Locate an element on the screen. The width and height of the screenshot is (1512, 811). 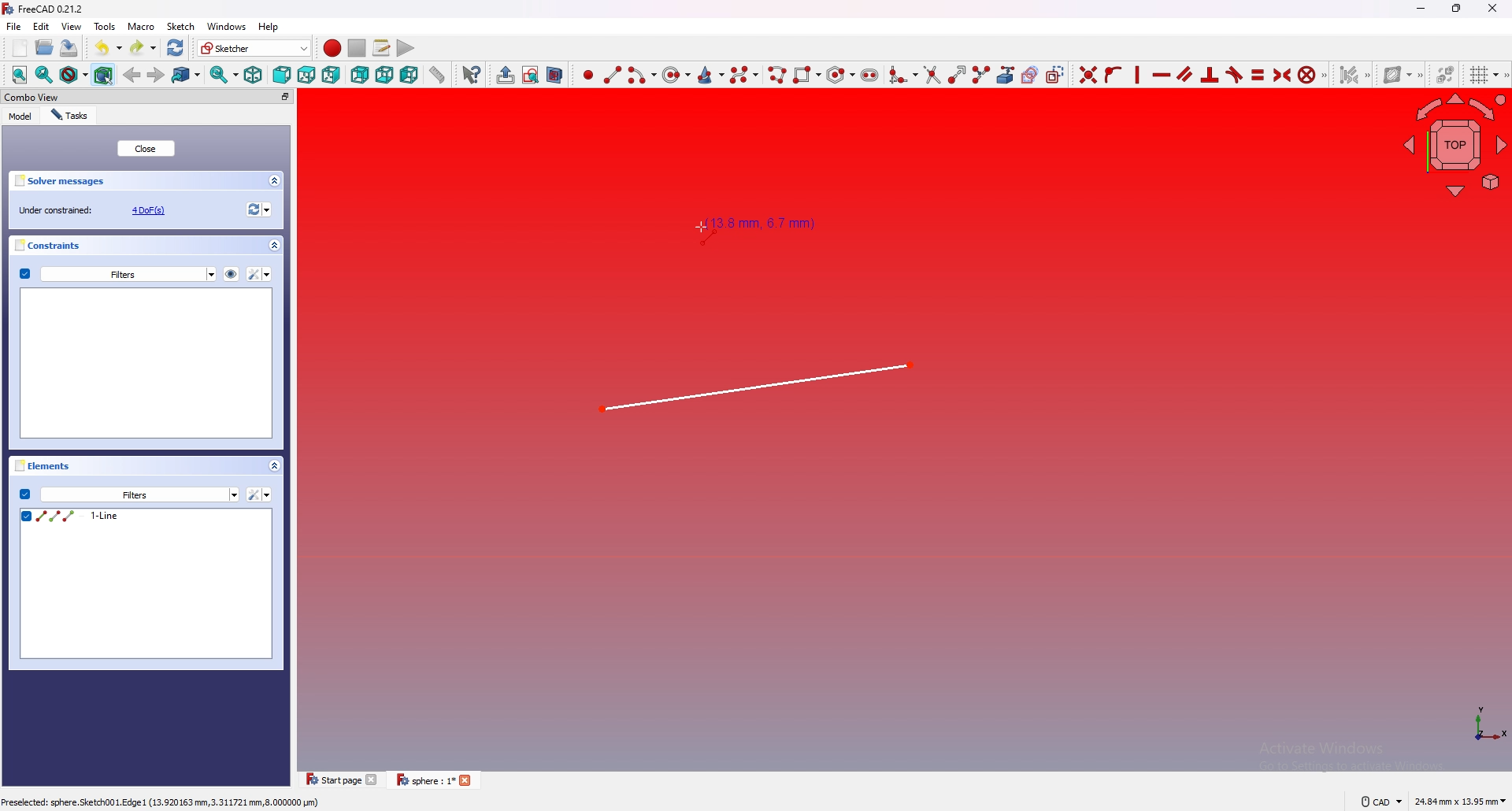
Go to linked object is located at coordinates (187, 75).